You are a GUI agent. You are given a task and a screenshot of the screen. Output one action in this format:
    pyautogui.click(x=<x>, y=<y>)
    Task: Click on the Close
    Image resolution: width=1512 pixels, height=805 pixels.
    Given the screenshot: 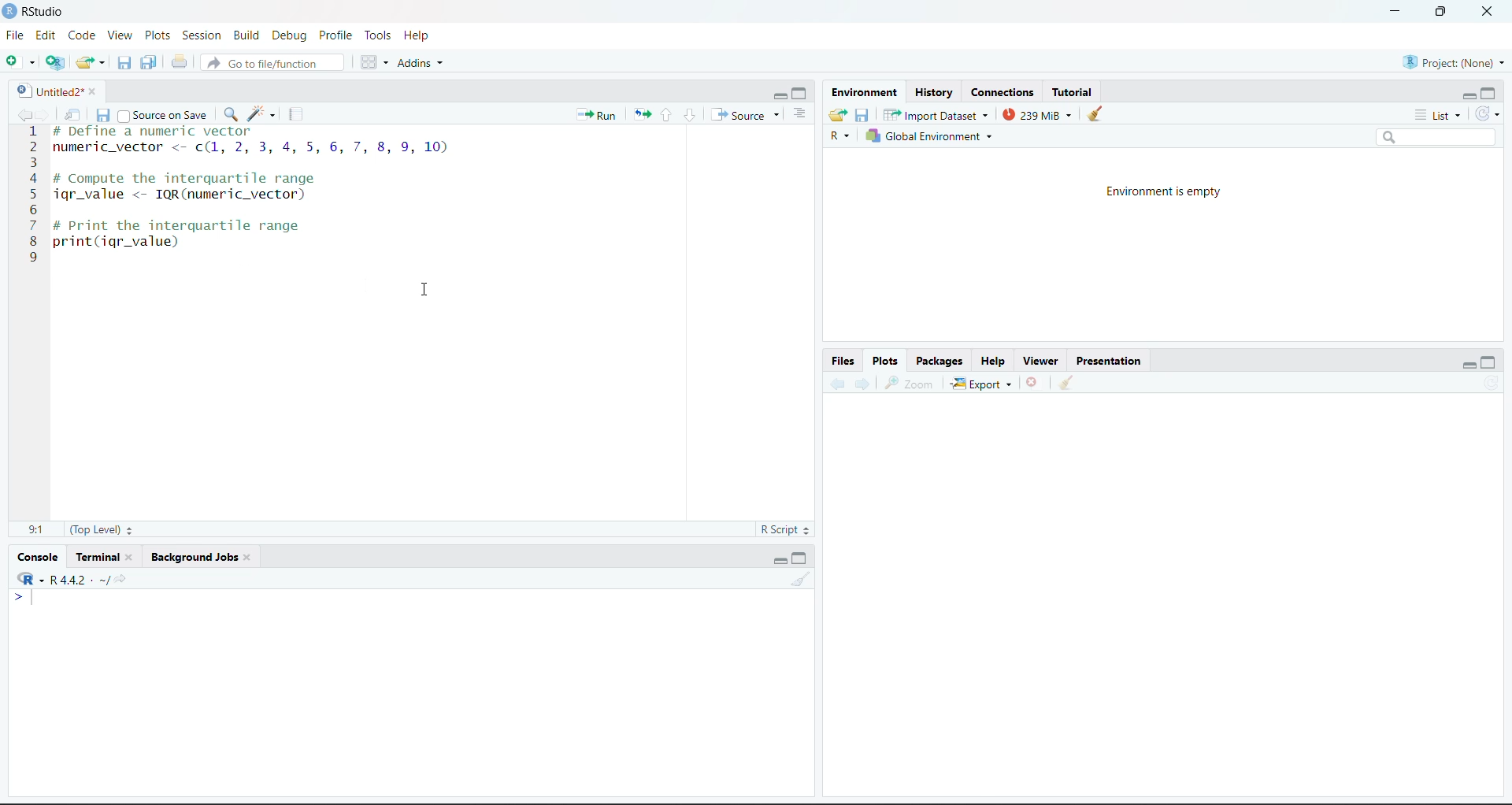 What is the action you would take?
    pyautogui.click(x=1034, y=382)
    